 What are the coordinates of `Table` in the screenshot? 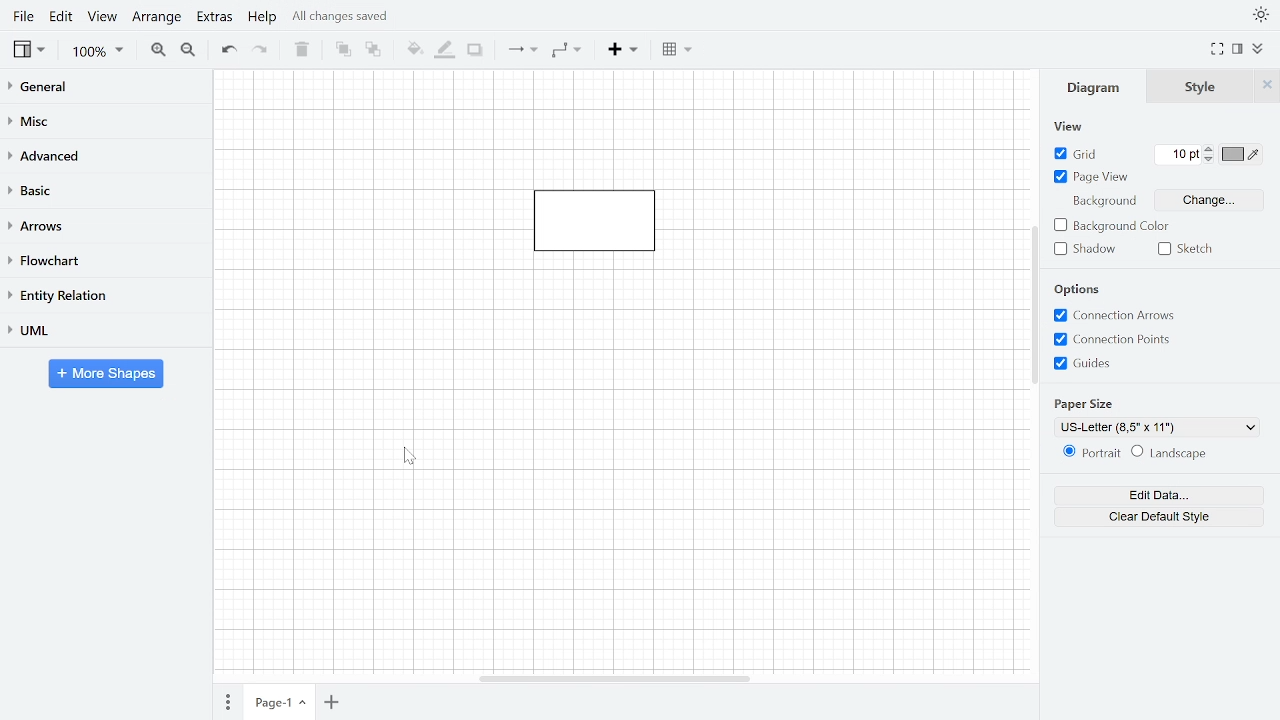 It's located at (680, 50).